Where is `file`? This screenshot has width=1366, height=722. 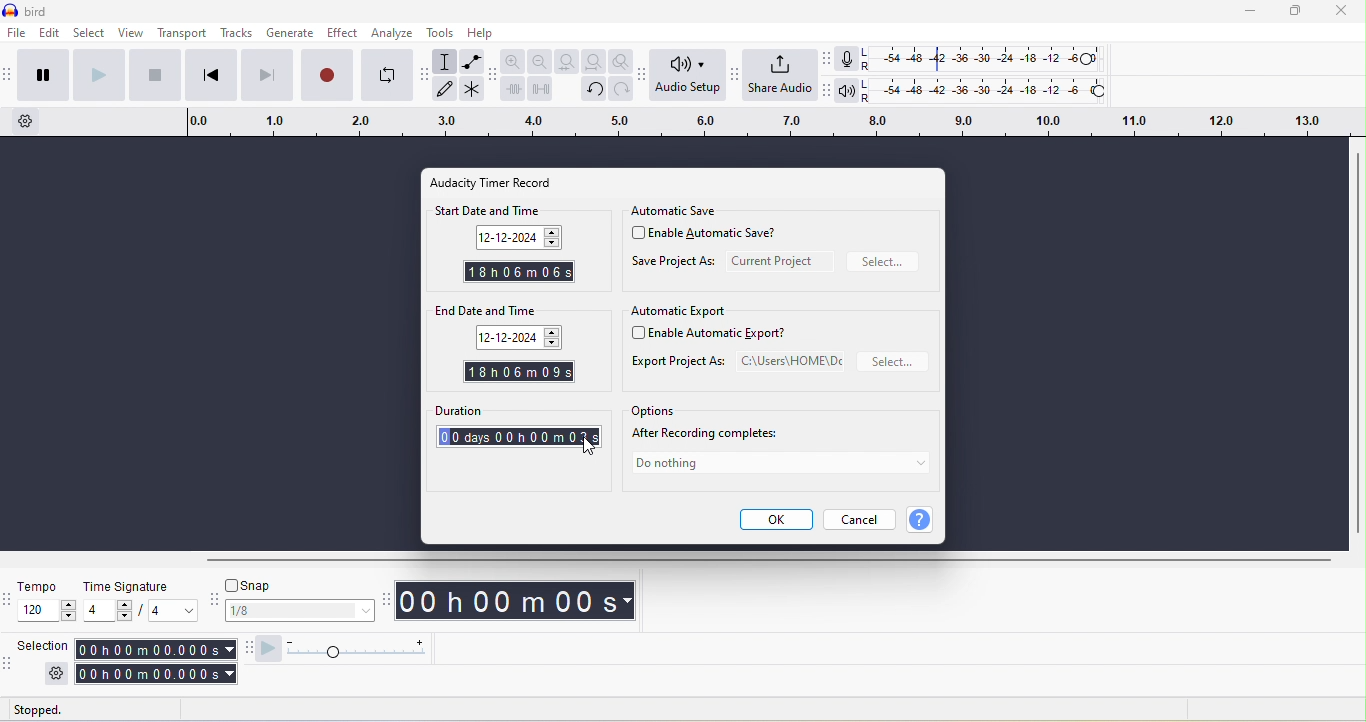
file is located at coordinates (15, 34).